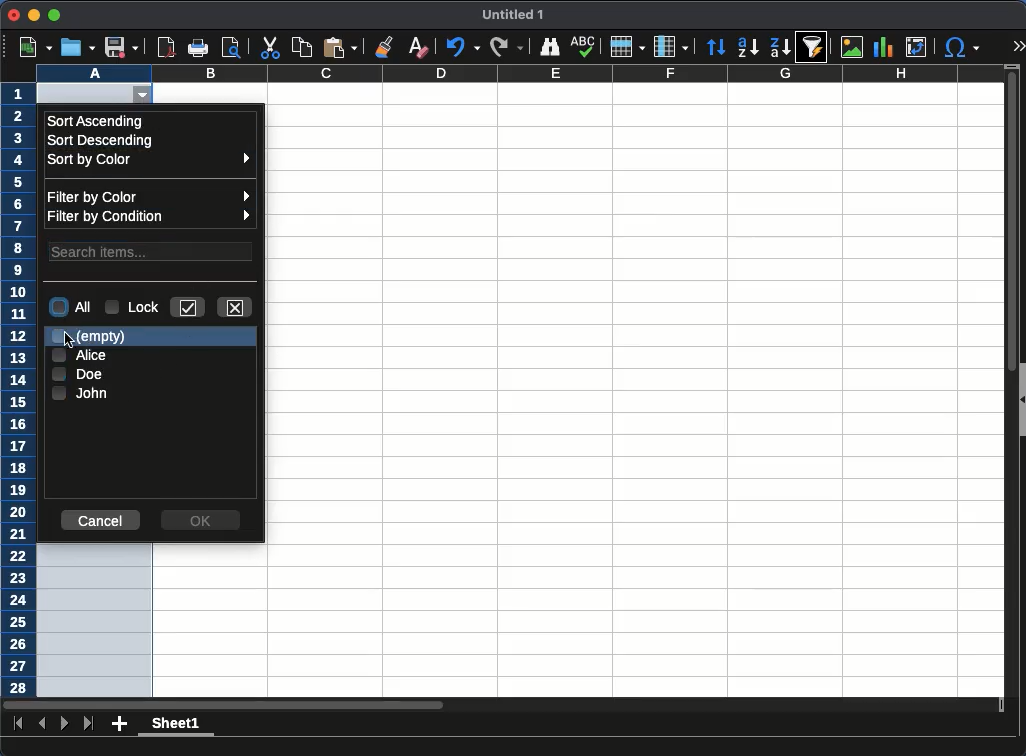 The image size is (1026, 756). What do you see at coordinates (167, 47) in the screenshot?
I see `pdf reviewer` at bounding box center [167, 47].